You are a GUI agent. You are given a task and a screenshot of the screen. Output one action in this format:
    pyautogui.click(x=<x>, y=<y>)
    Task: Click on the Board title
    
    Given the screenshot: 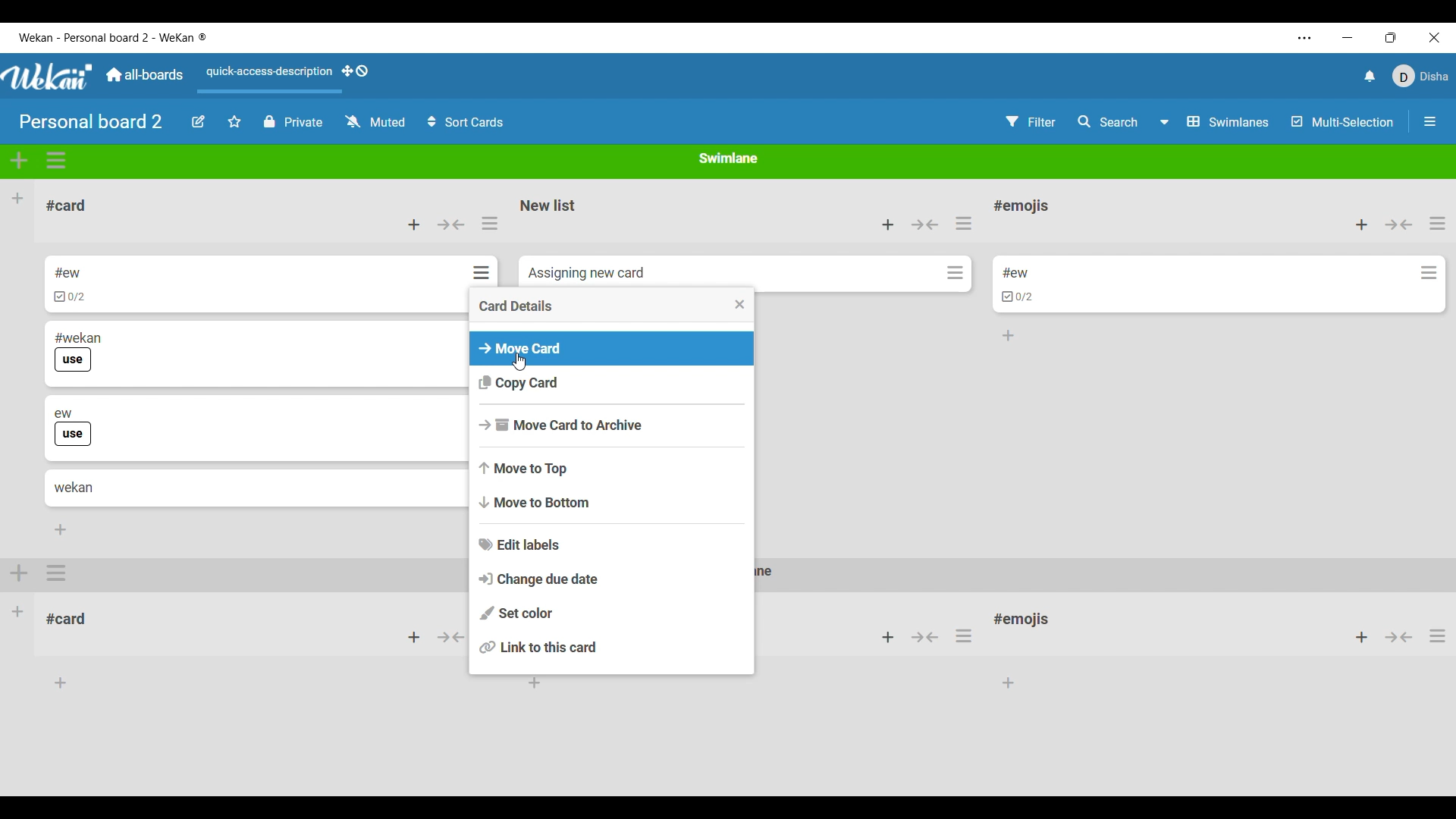 What is the action you would take?
    pyautogui.click(x=92, y=121)
    